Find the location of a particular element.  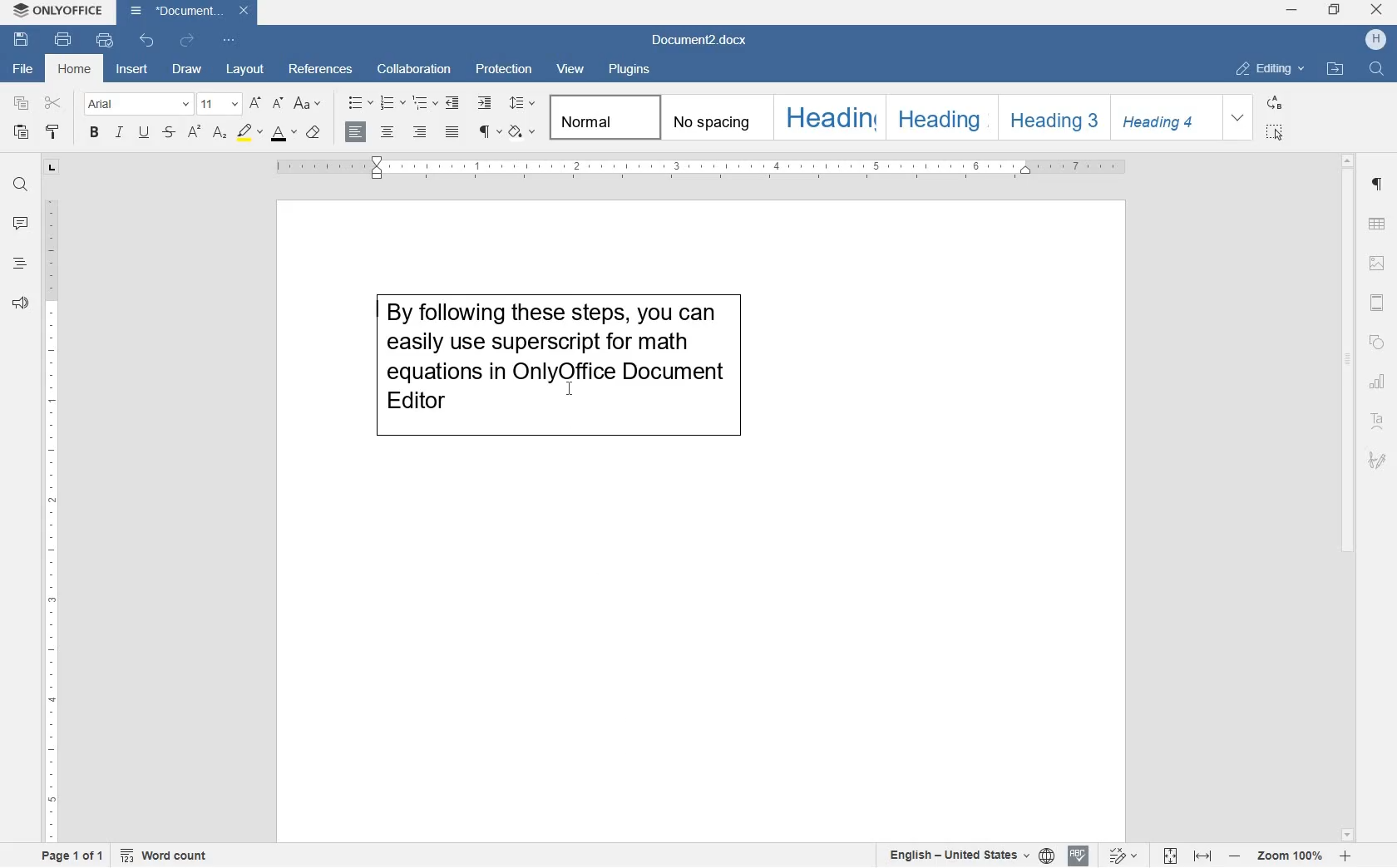

bullets is located at coordinates (361, 103).